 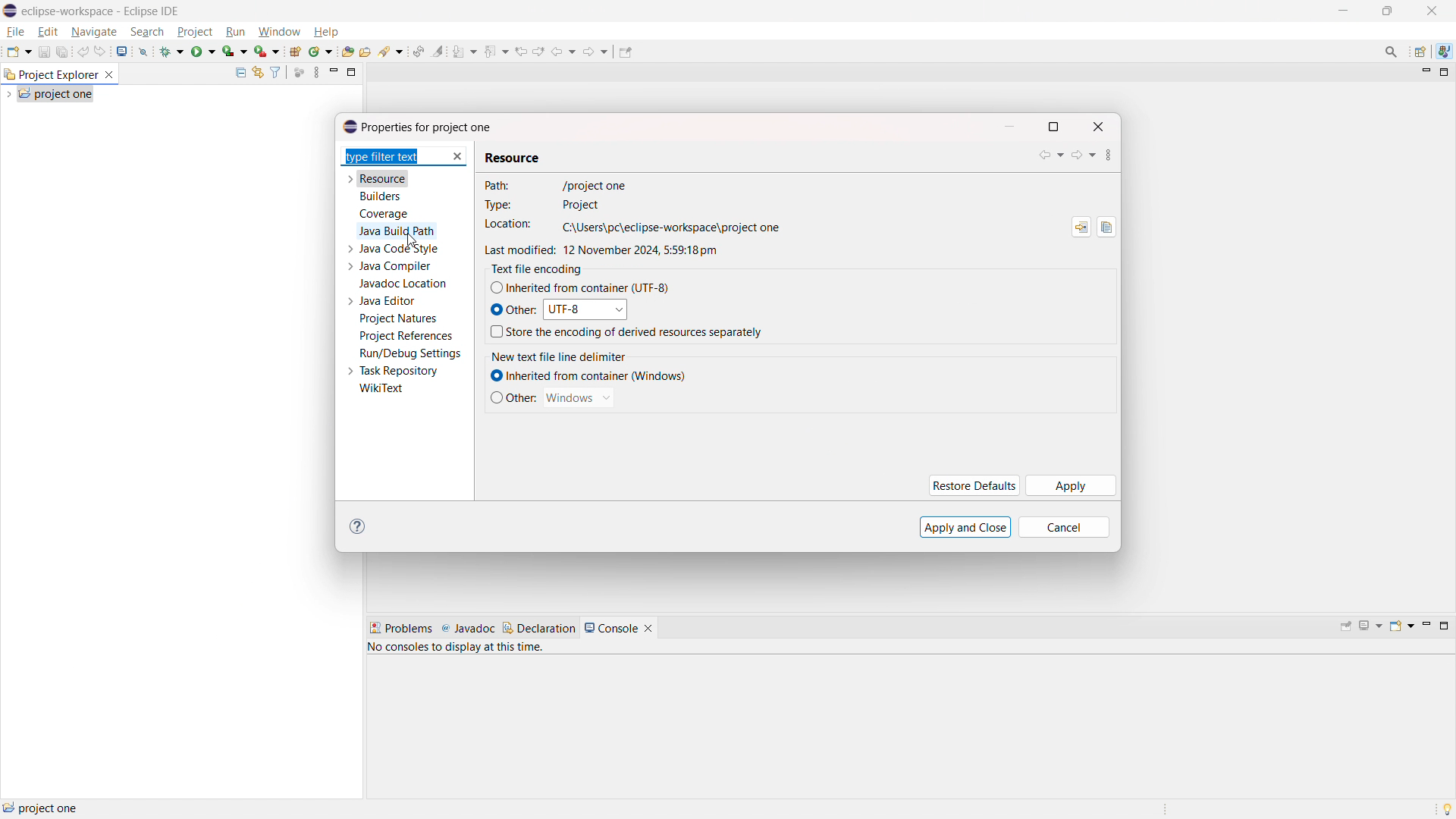 I want to click on expand java compiler, so click(x=350, y=266).